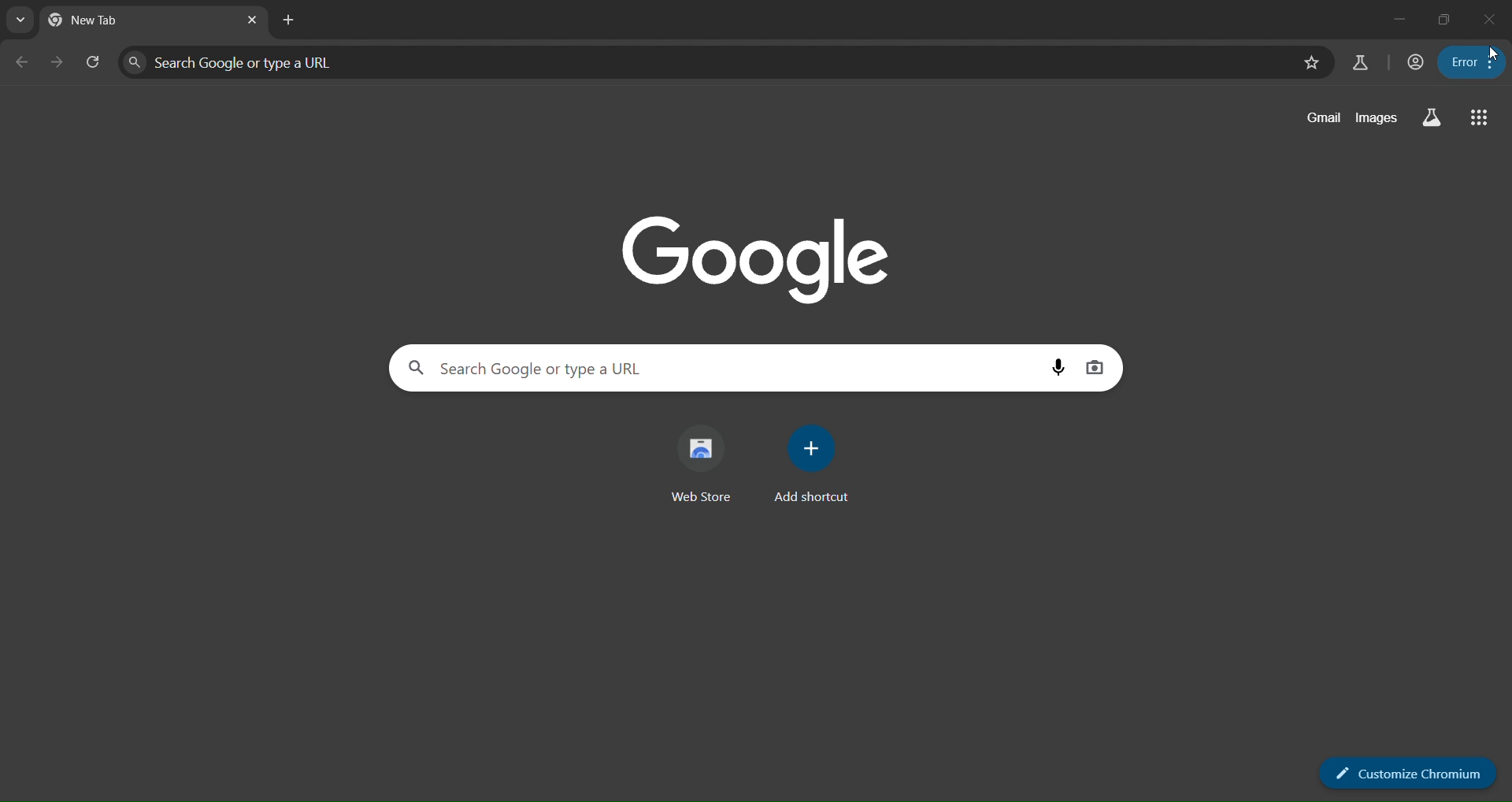 Image resolution: width=1512 pixels, height=802 pixels. What do you see at coordinates (1062, 369) in the screenshot?
I see `voice search` at bounding box center [1062, 369].